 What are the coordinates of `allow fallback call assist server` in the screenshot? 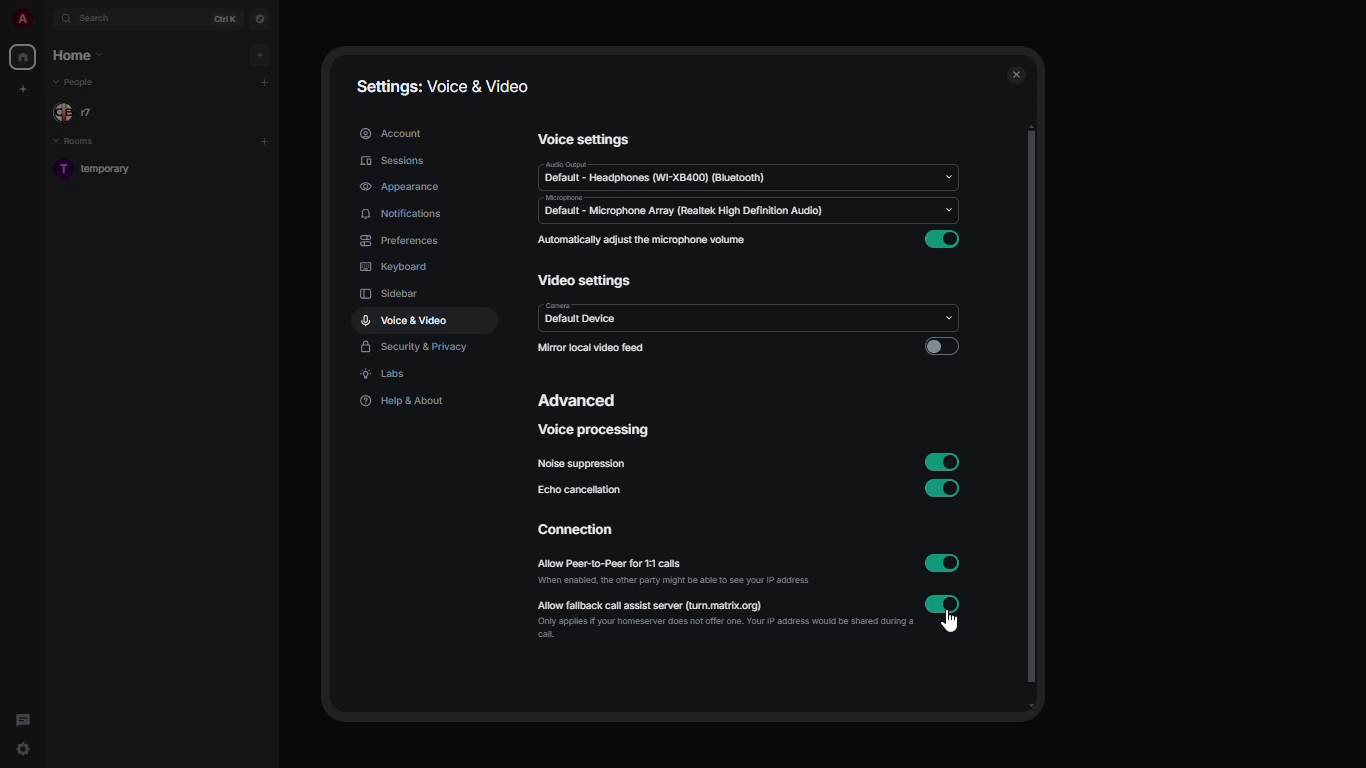 It's located at (720, 619).